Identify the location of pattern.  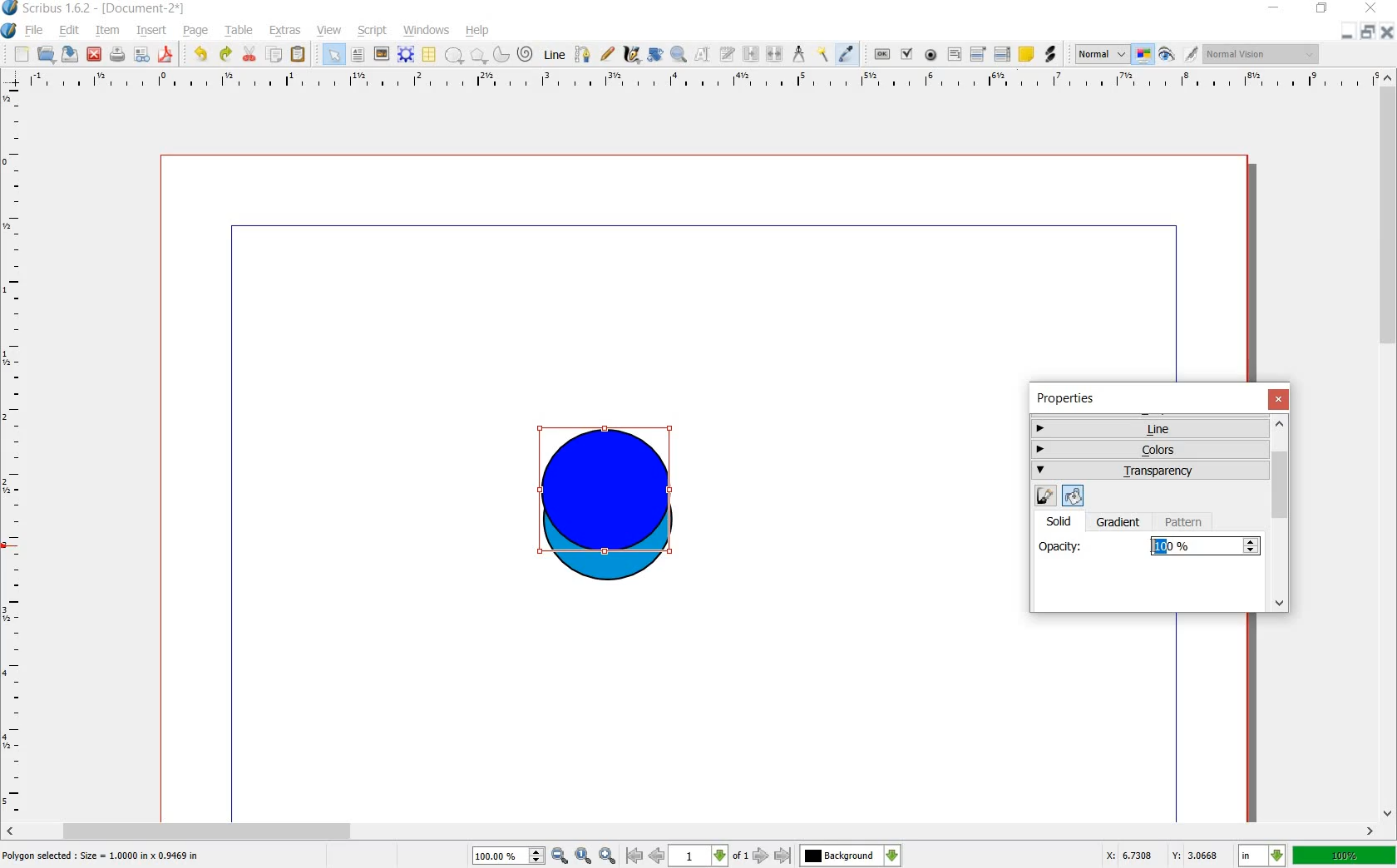
(1187, 522).